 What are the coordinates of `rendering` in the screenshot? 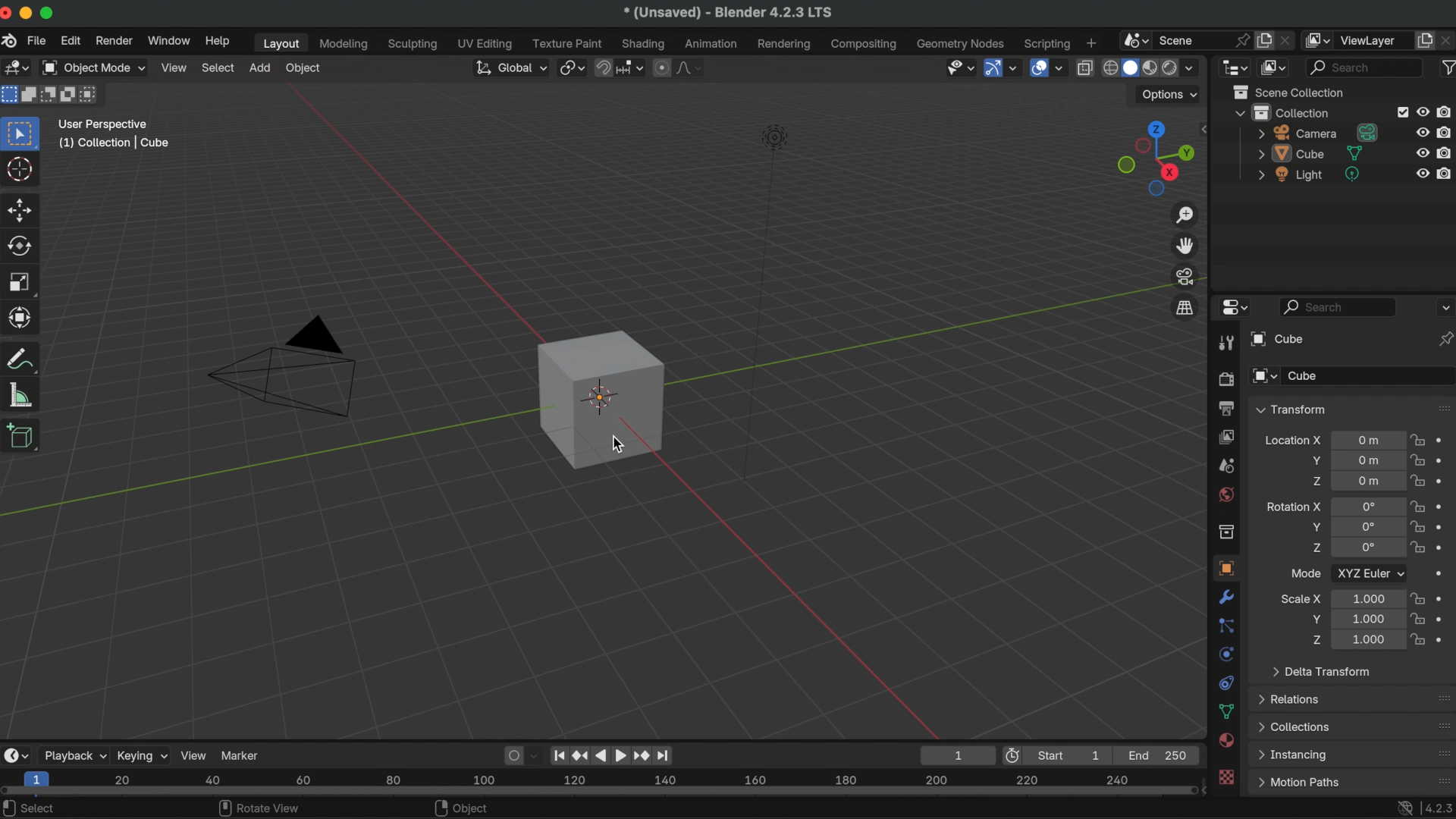 It's located at (784, 44).